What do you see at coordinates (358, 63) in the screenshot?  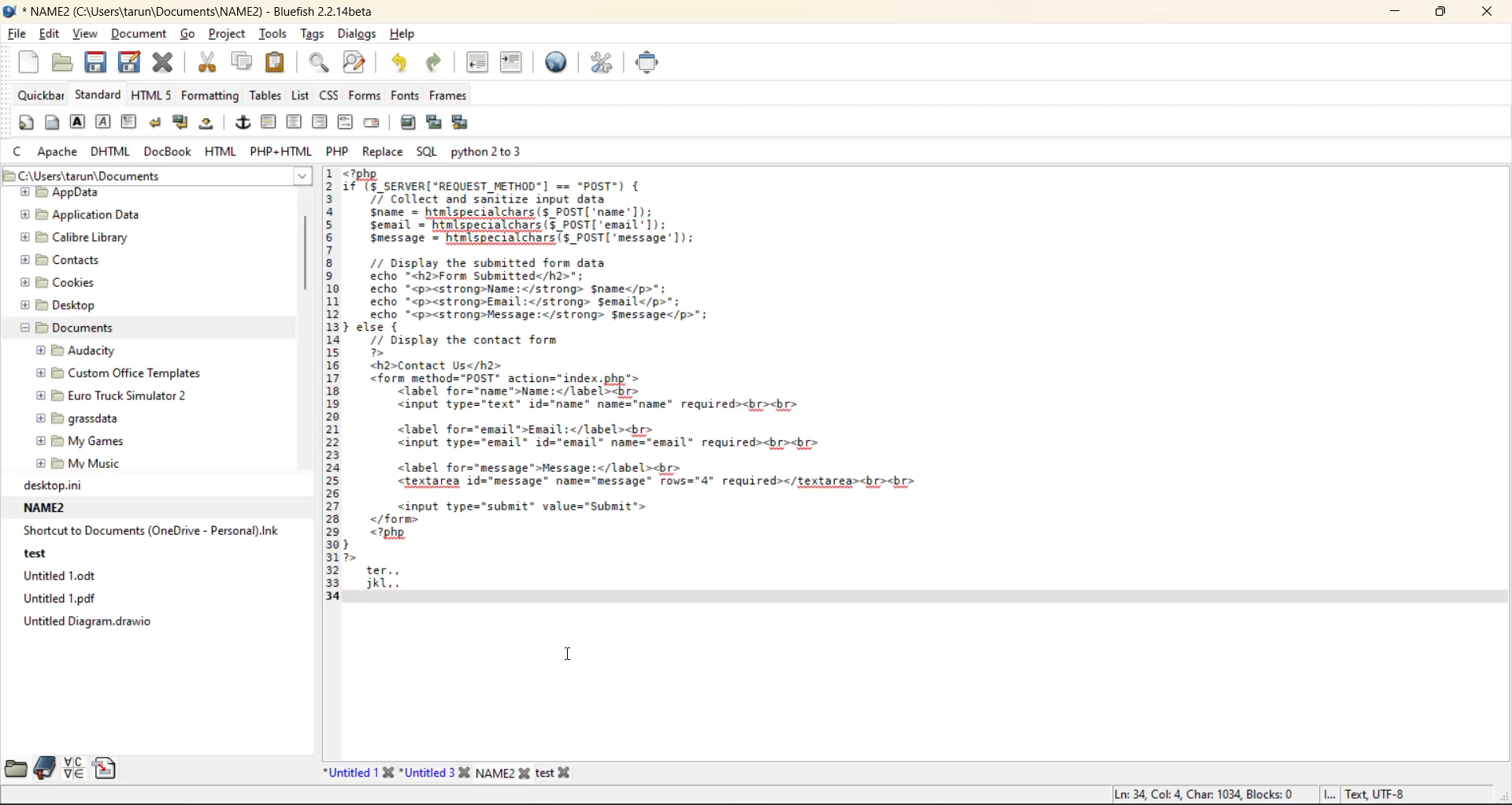 I see `find and replace` at bounding box center [358, 63].